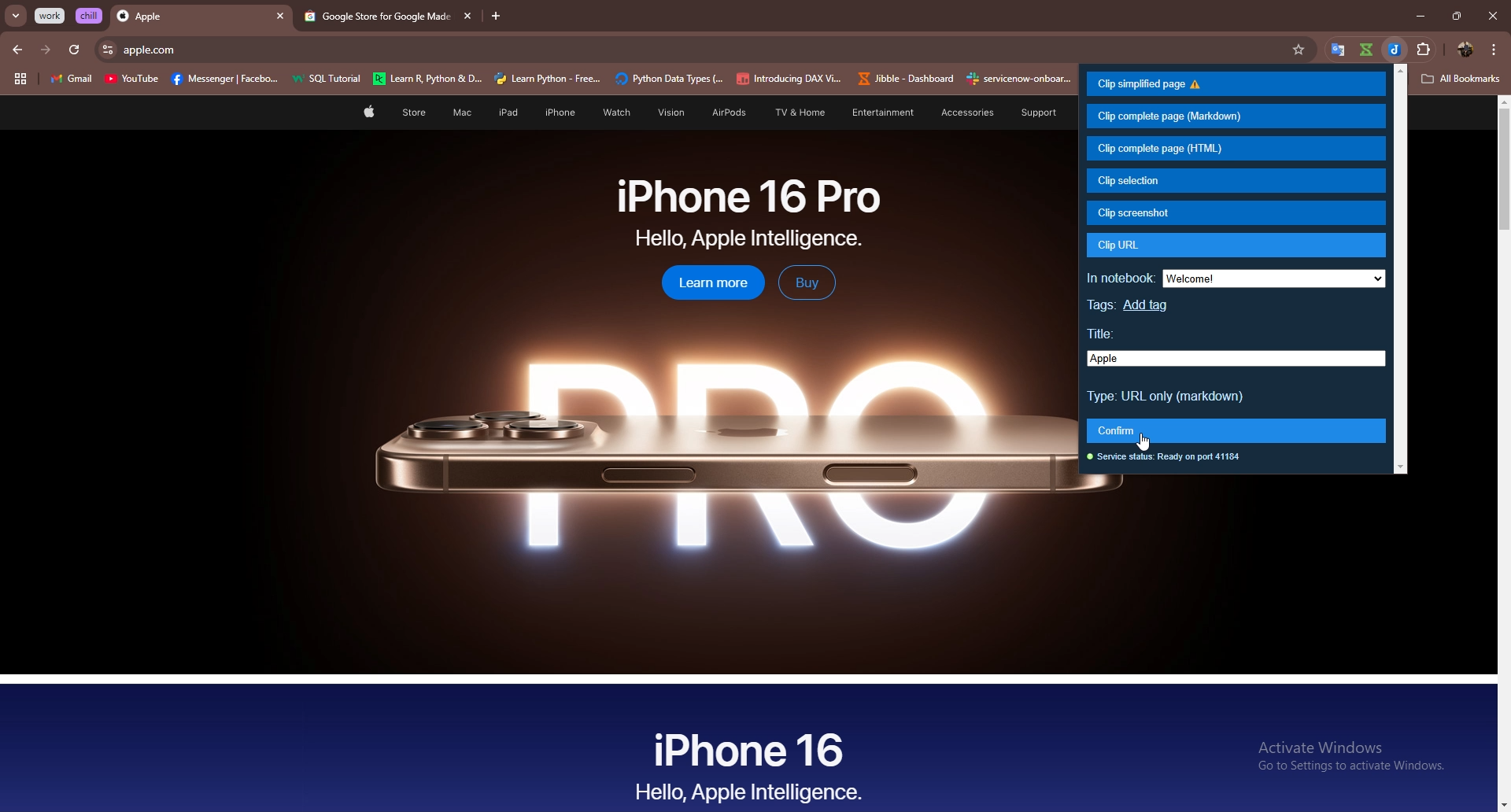 The height and width of the screenshot is (812, 1511). Describe the element at coordinates (1345, 758) in the screenshot. I see `Activate Windows
Go to Settings to activate Windows.` at that location.